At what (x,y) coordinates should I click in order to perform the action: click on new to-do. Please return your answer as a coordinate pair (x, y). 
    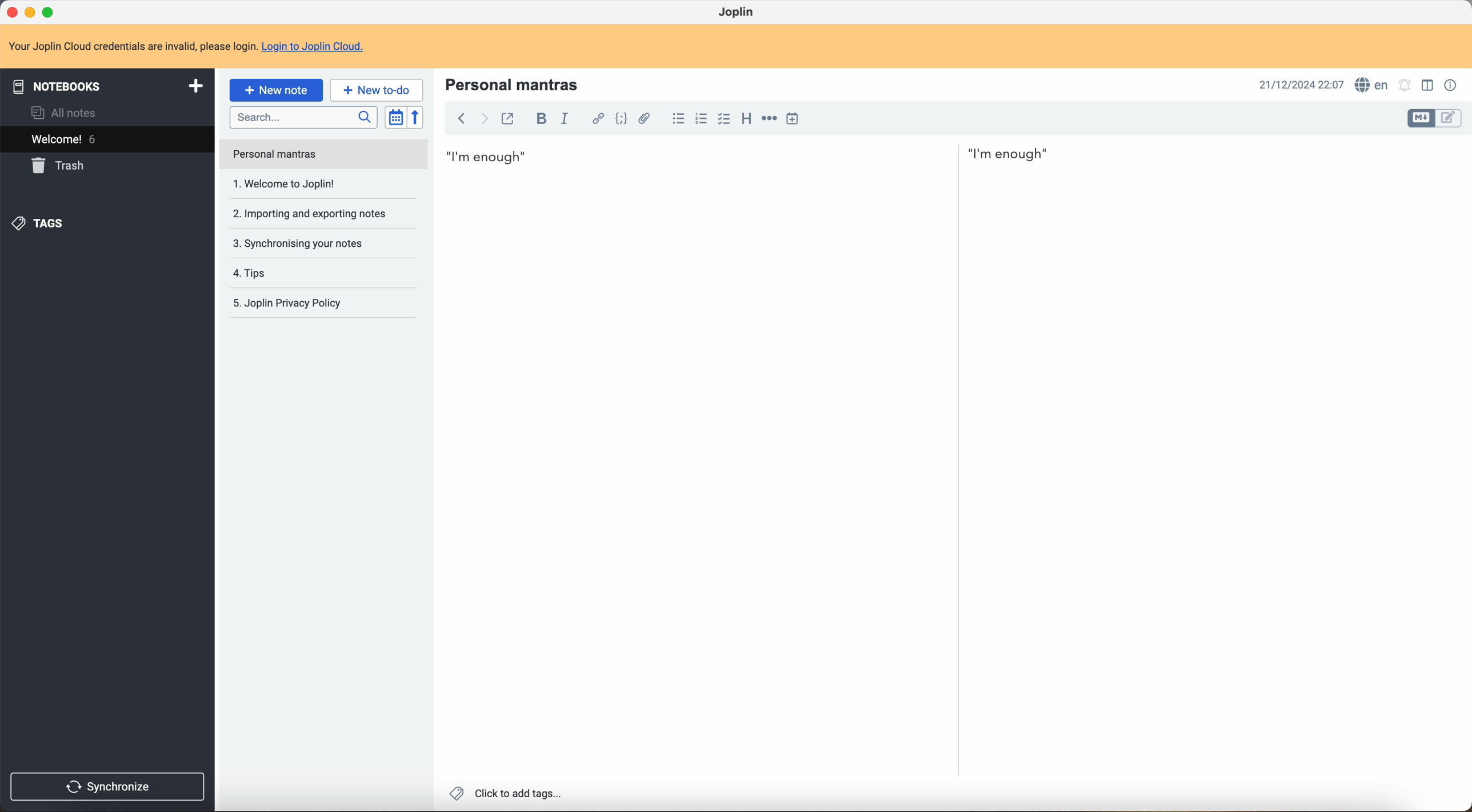
    Looking at the image, I should click on (376, 89).